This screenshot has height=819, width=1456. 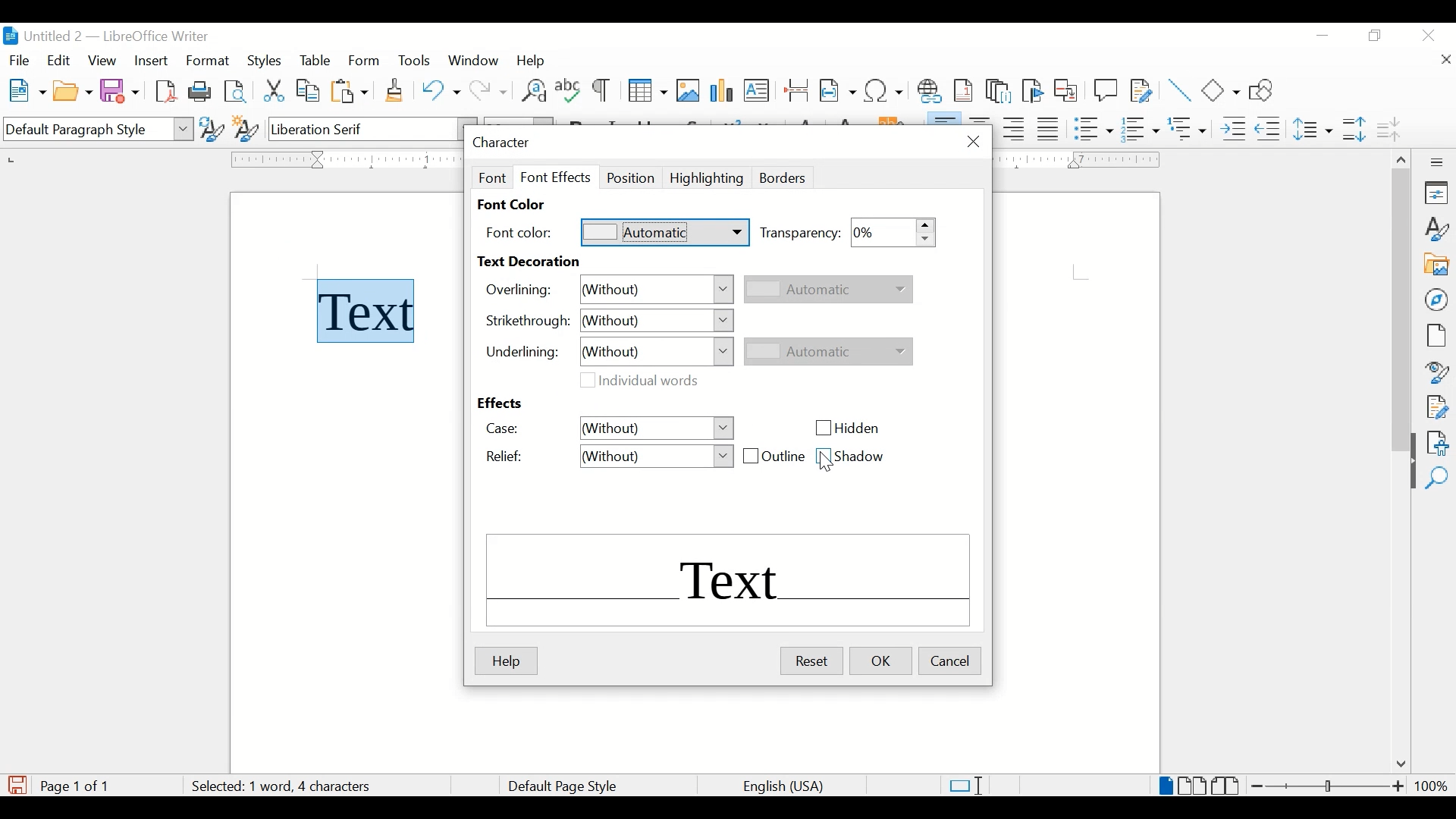 What do you see at coordinates (657, 290) in the screenshot?
I see `without dropdown menu` at bounding box center [657, 290].